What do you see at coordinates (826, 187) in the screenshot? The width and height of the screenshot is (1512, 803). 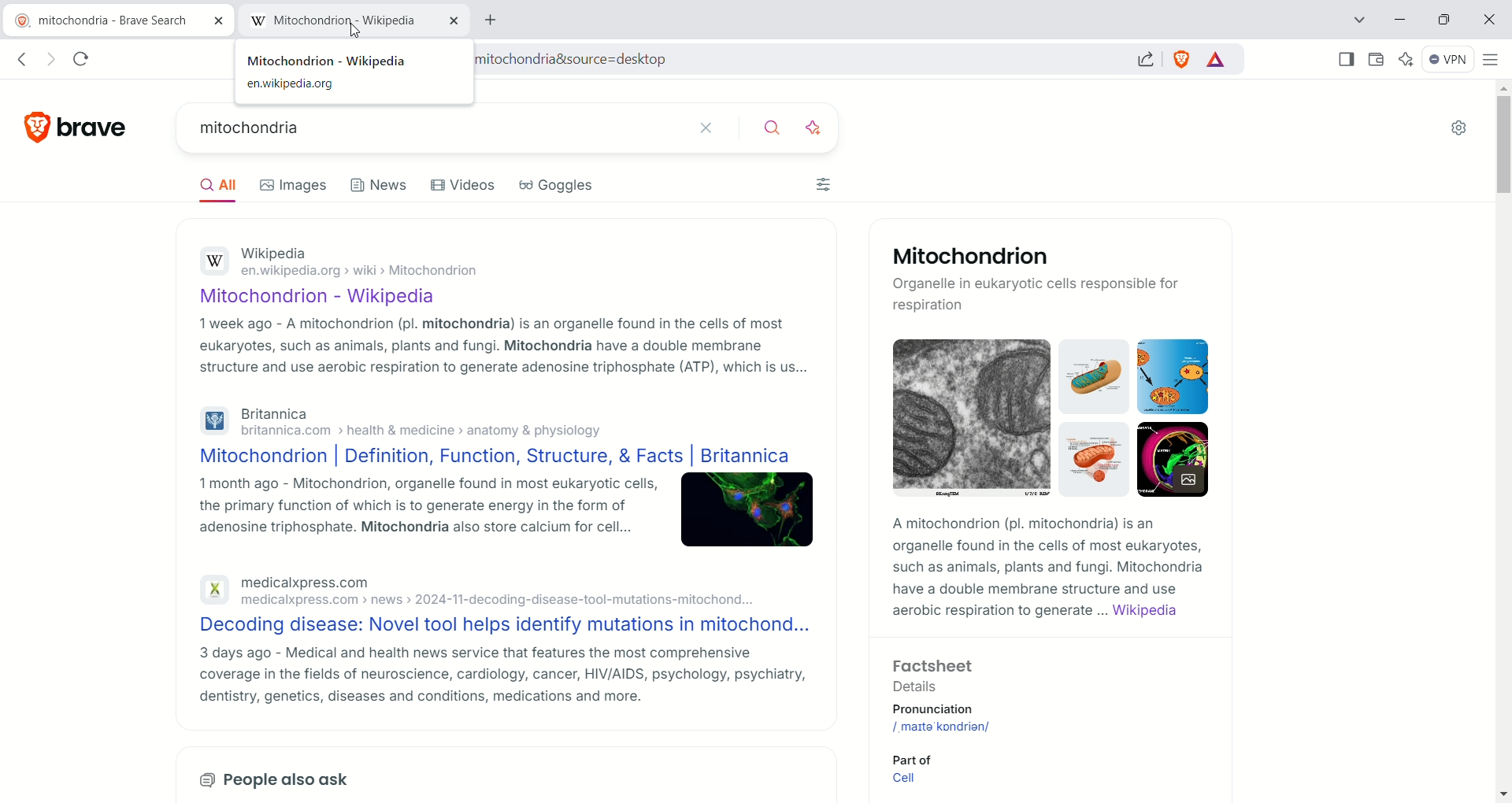 I see `filters` at bounding box center [826, 187].